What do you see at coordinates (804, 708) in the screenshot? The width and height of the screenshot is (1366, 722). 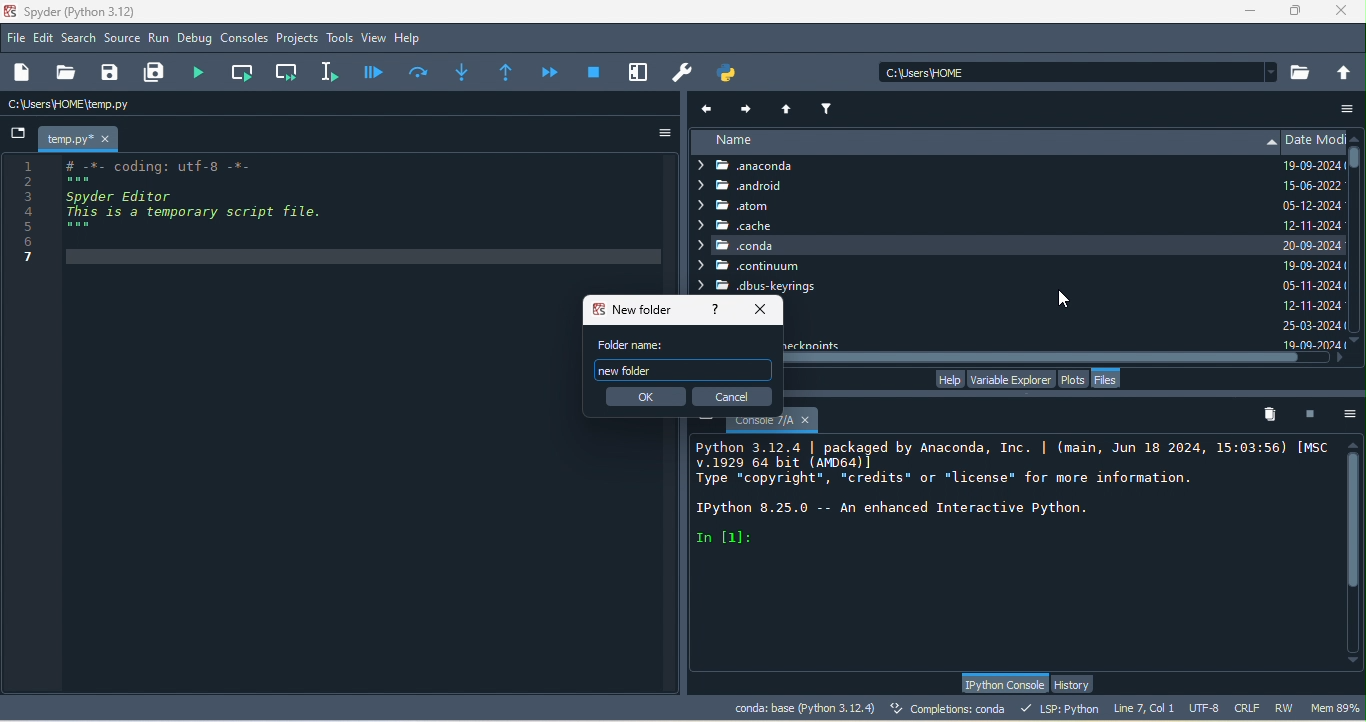 I see `conda base` at bounding box center [804, 708].